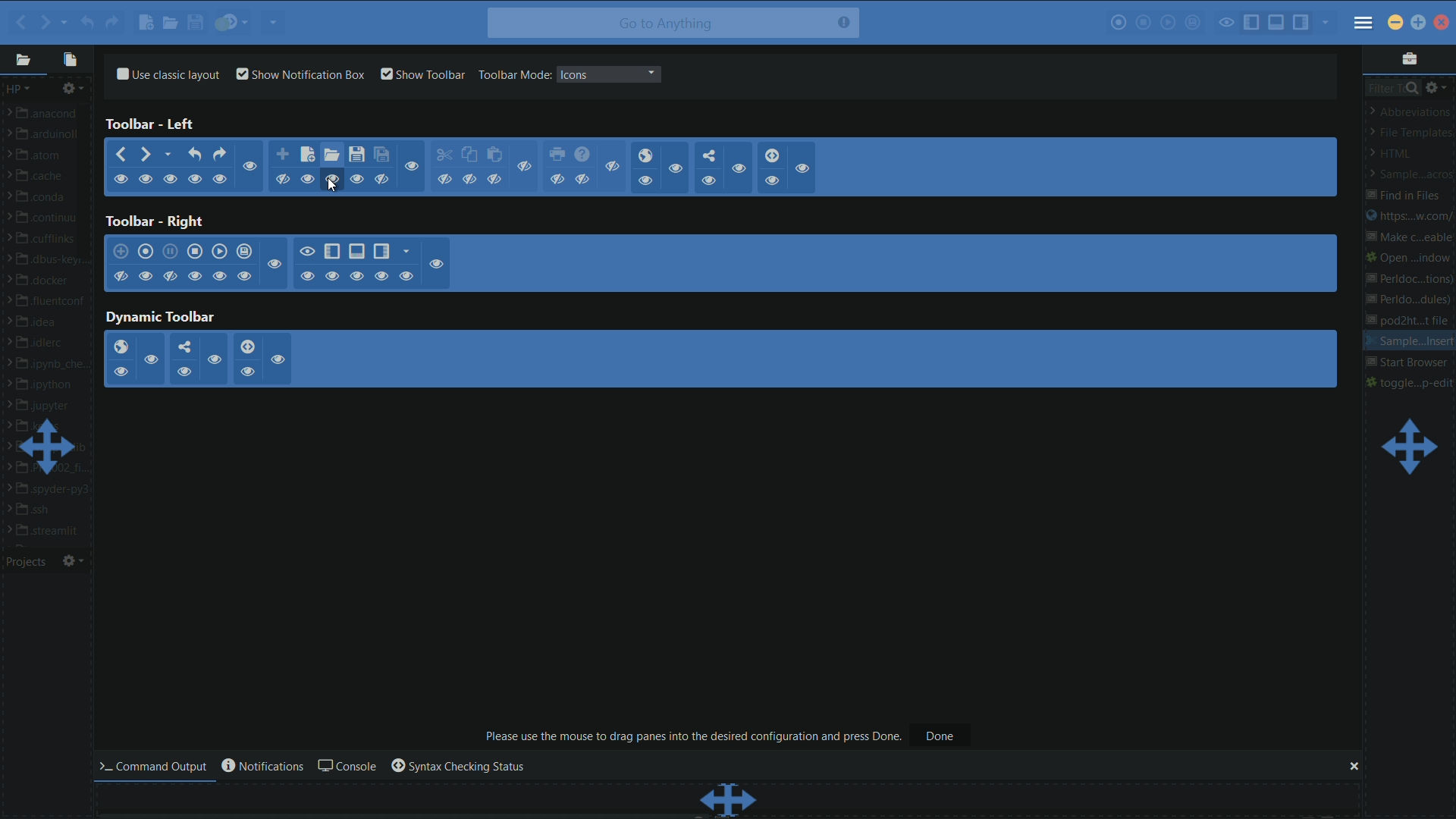 Image resolution: width=1456 pixels, height=819 pixels. Describe the element at coordinates (48, 199) in the screenshot. I see `.conda` at that location.